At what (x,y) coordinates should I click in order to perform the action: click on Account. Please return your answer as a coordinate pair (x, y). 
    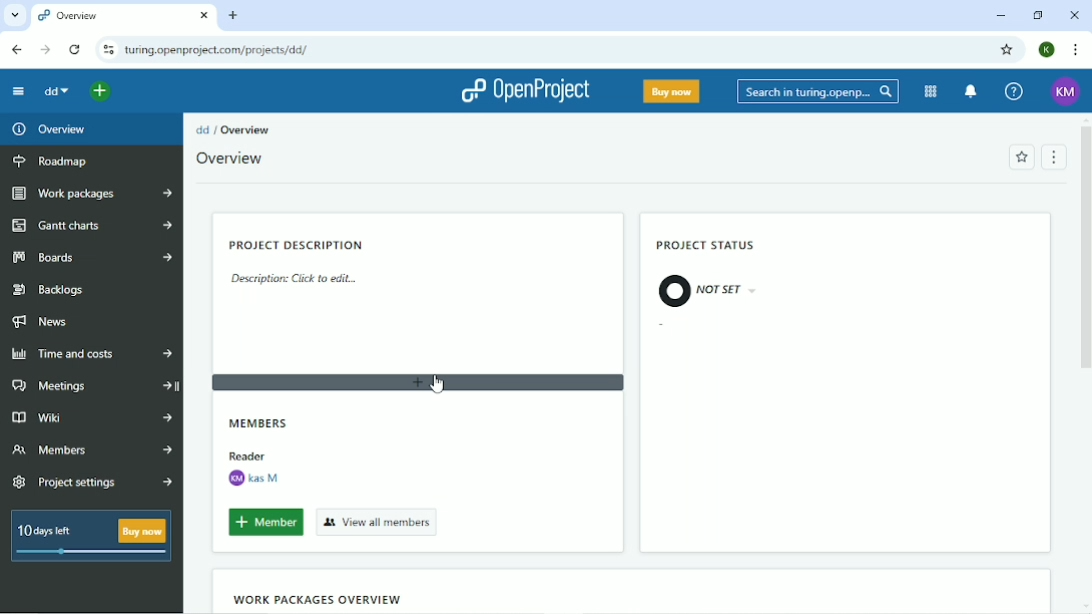
    Looking at the image, I should click on (1046, 50).